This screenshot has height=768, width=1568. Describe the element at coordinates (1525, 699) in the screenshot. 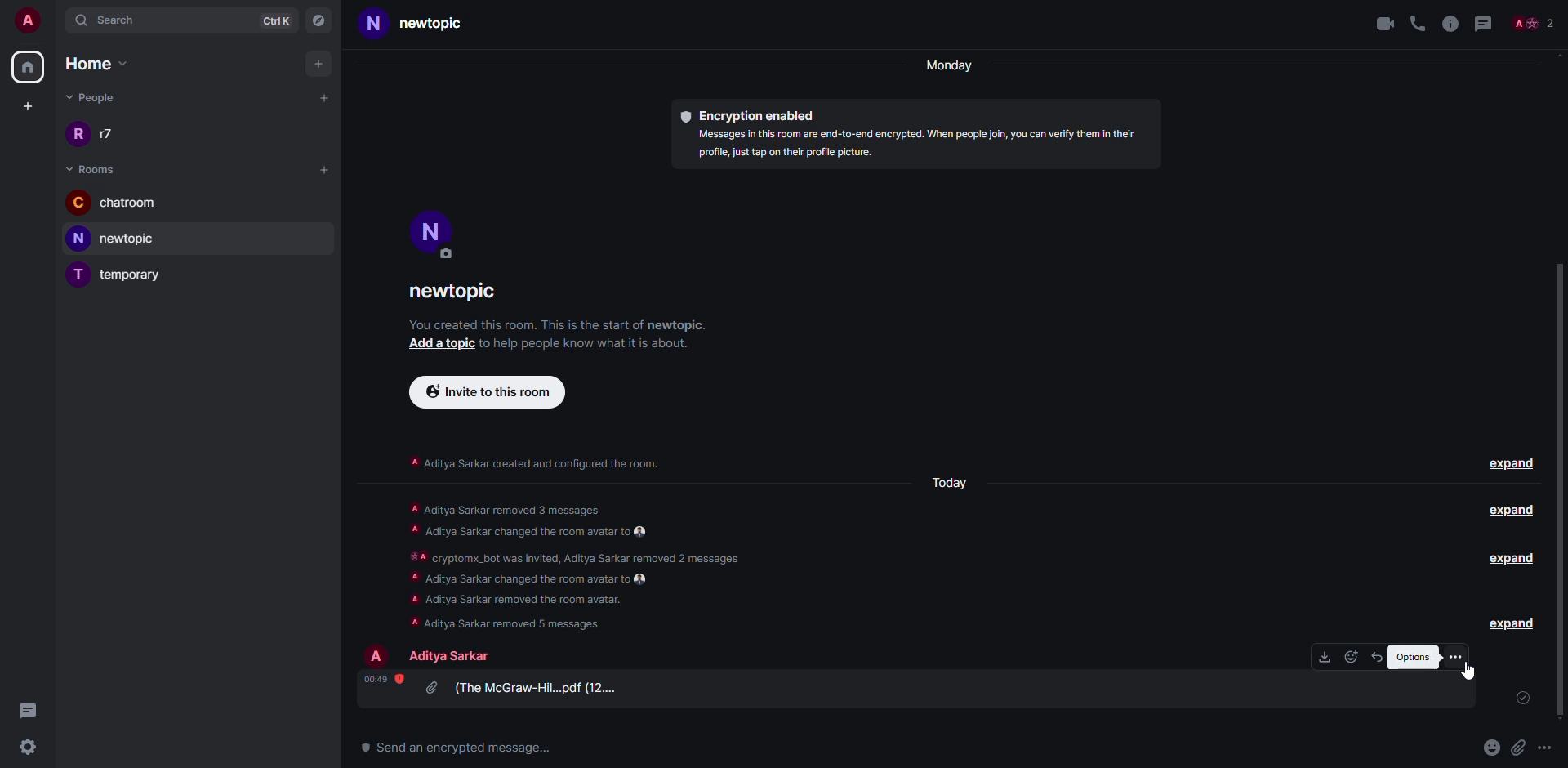

I see `sent` at that location.